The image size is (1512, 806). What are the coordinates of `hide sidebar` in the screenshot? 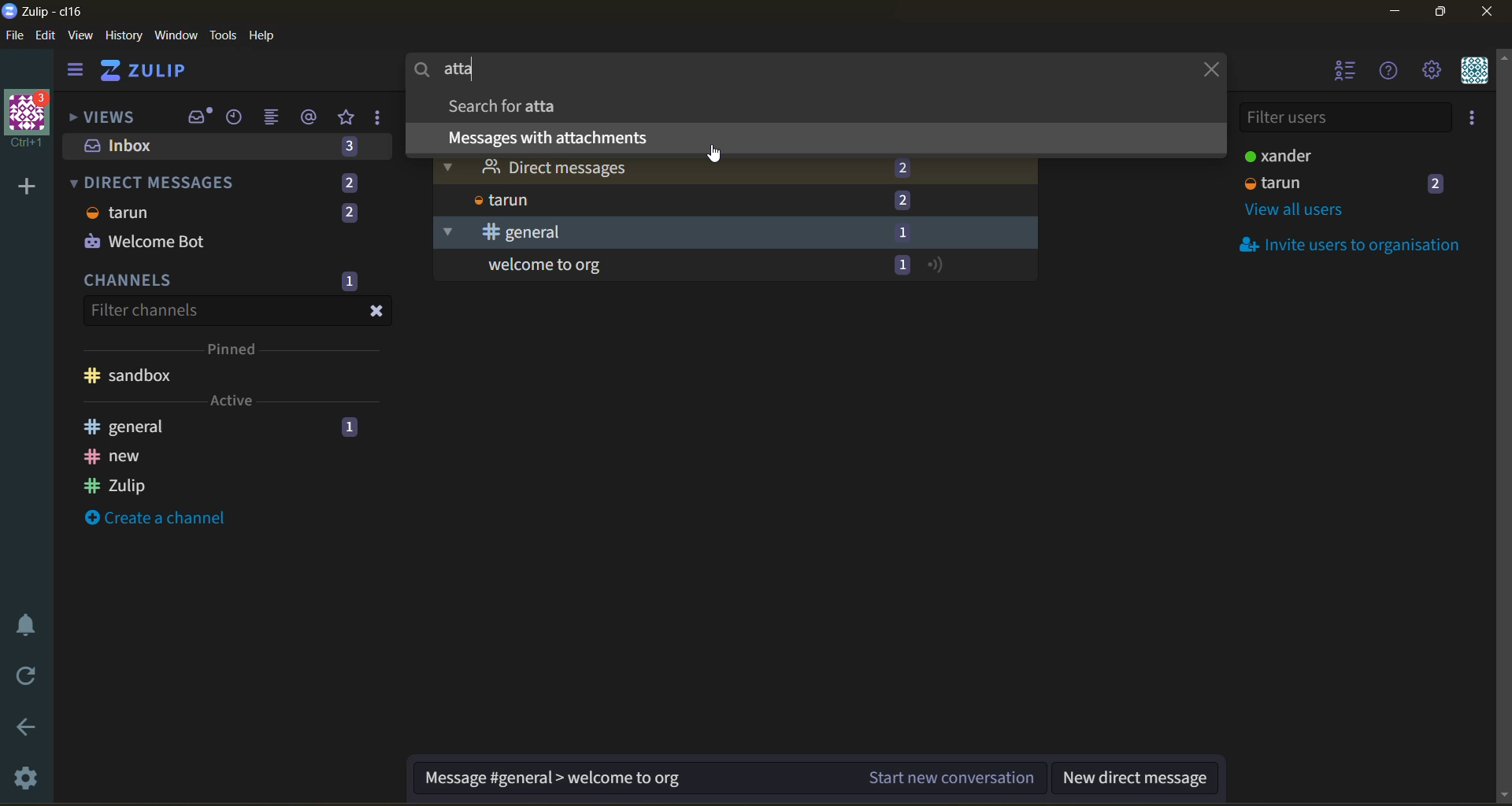 It's located at (76, 72).